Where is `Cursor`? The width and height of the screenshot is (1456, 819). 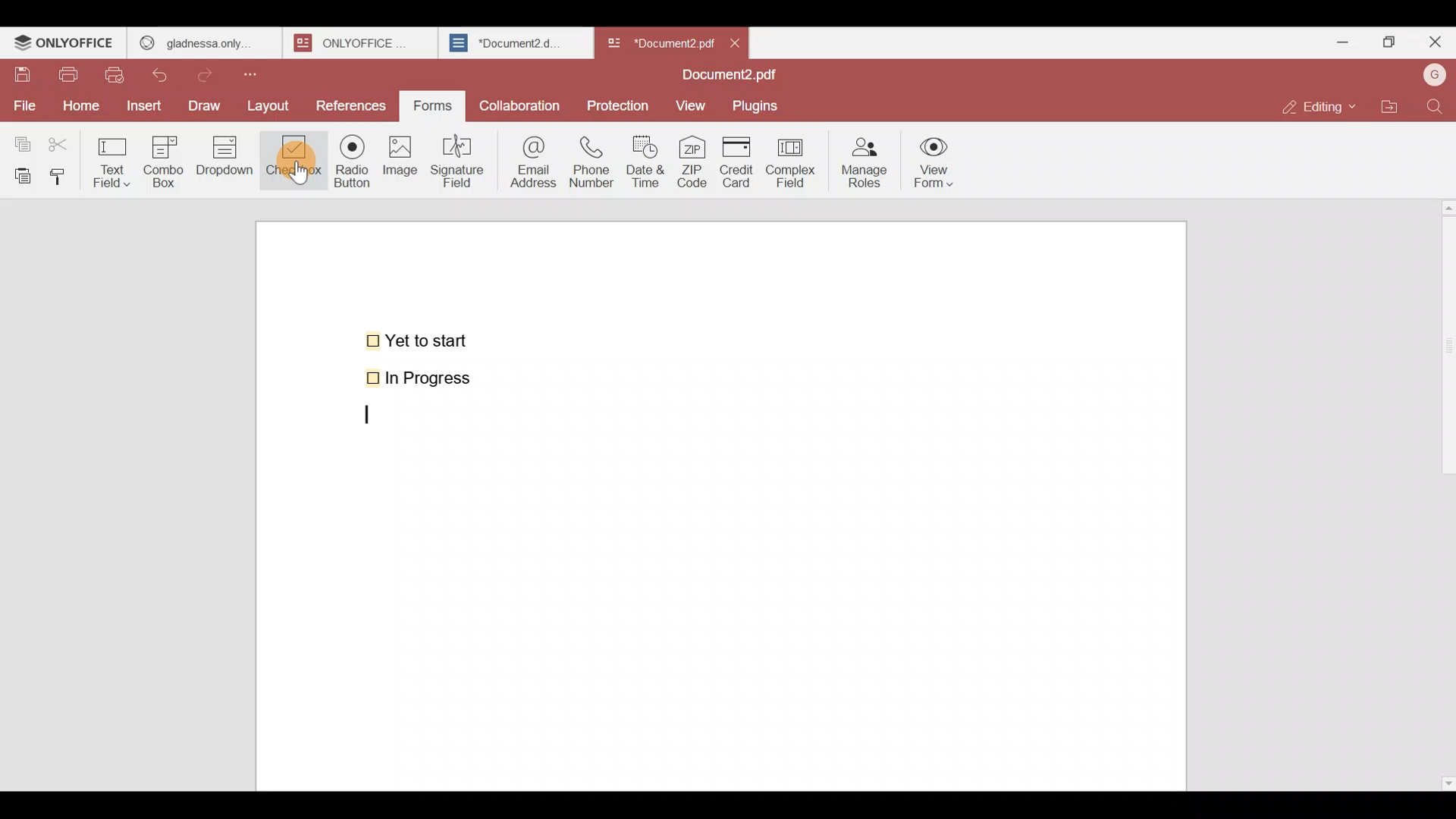 Cursor is located at coordinates (294, 162).